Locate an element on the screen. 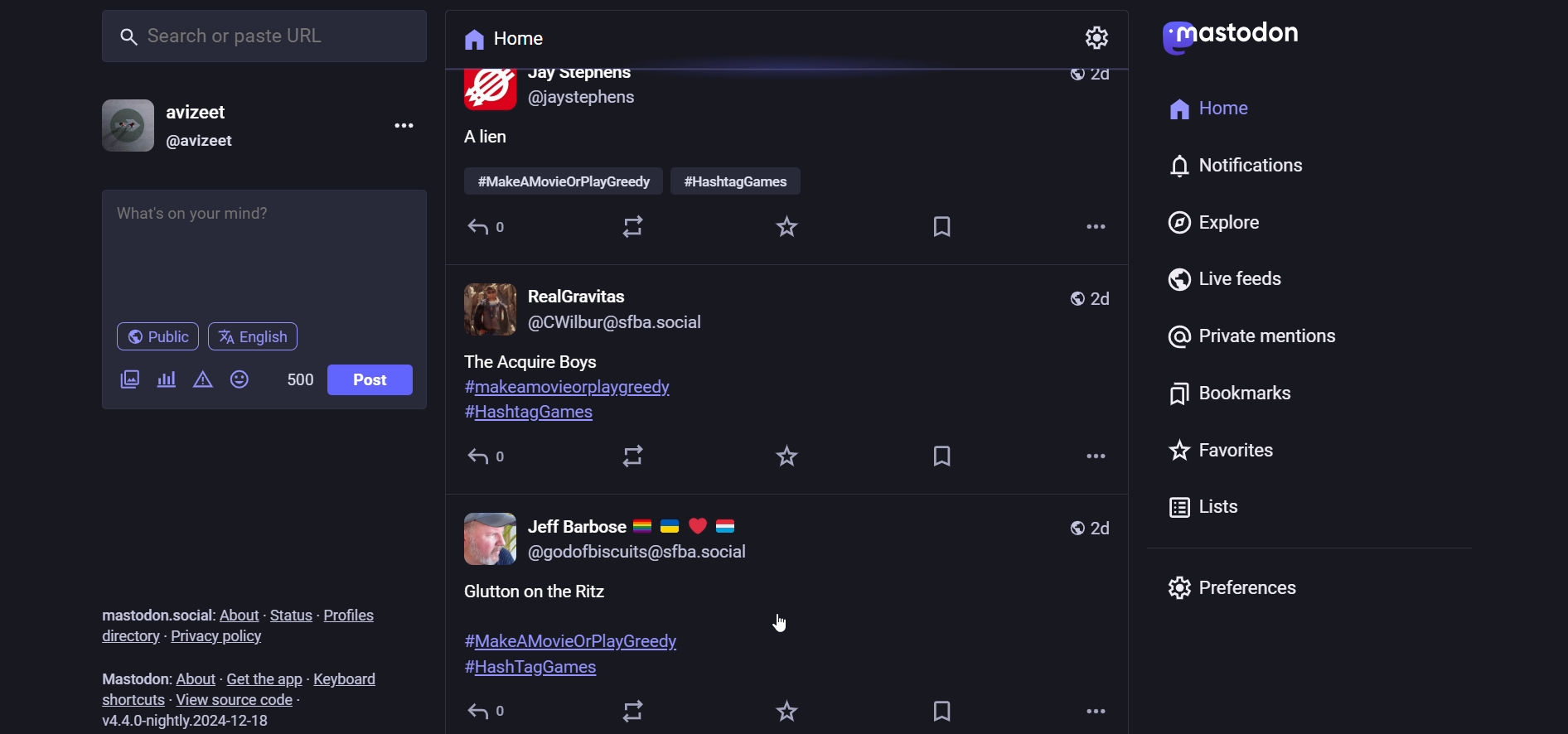  post is located at coordinates (535, 362).